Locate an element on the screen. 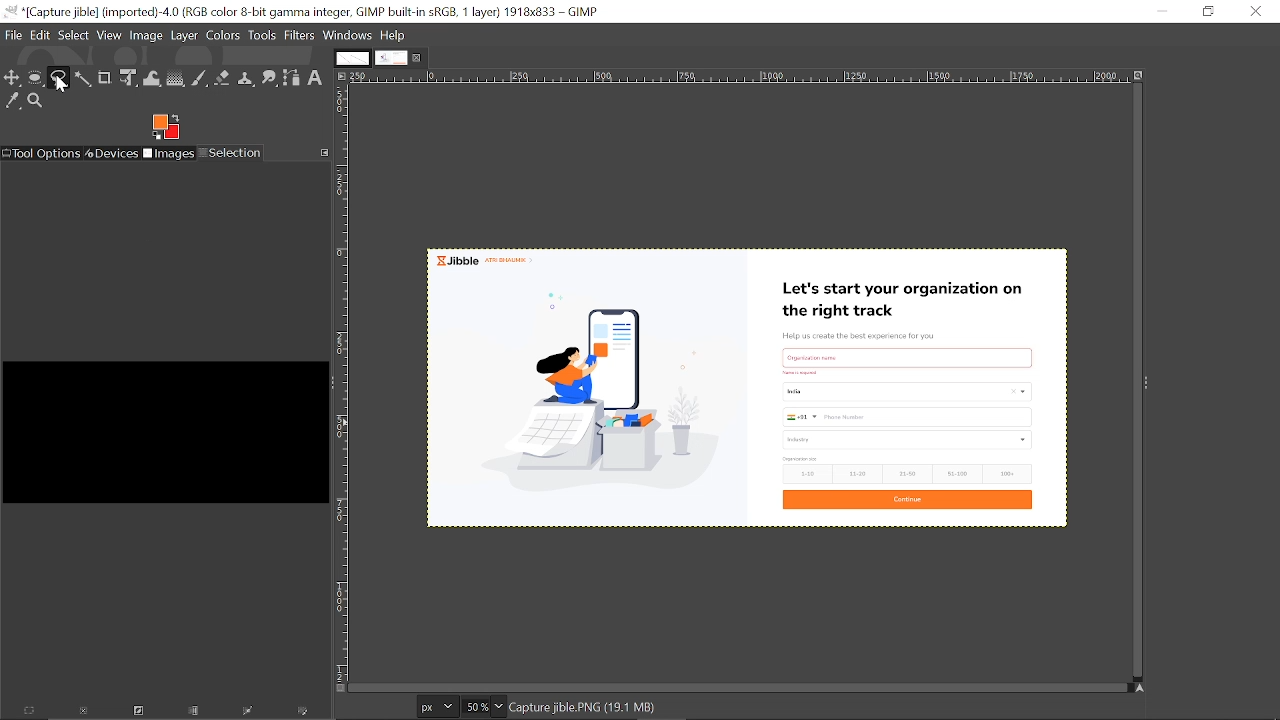  Configure this tab is located at coordinates (324, 153).